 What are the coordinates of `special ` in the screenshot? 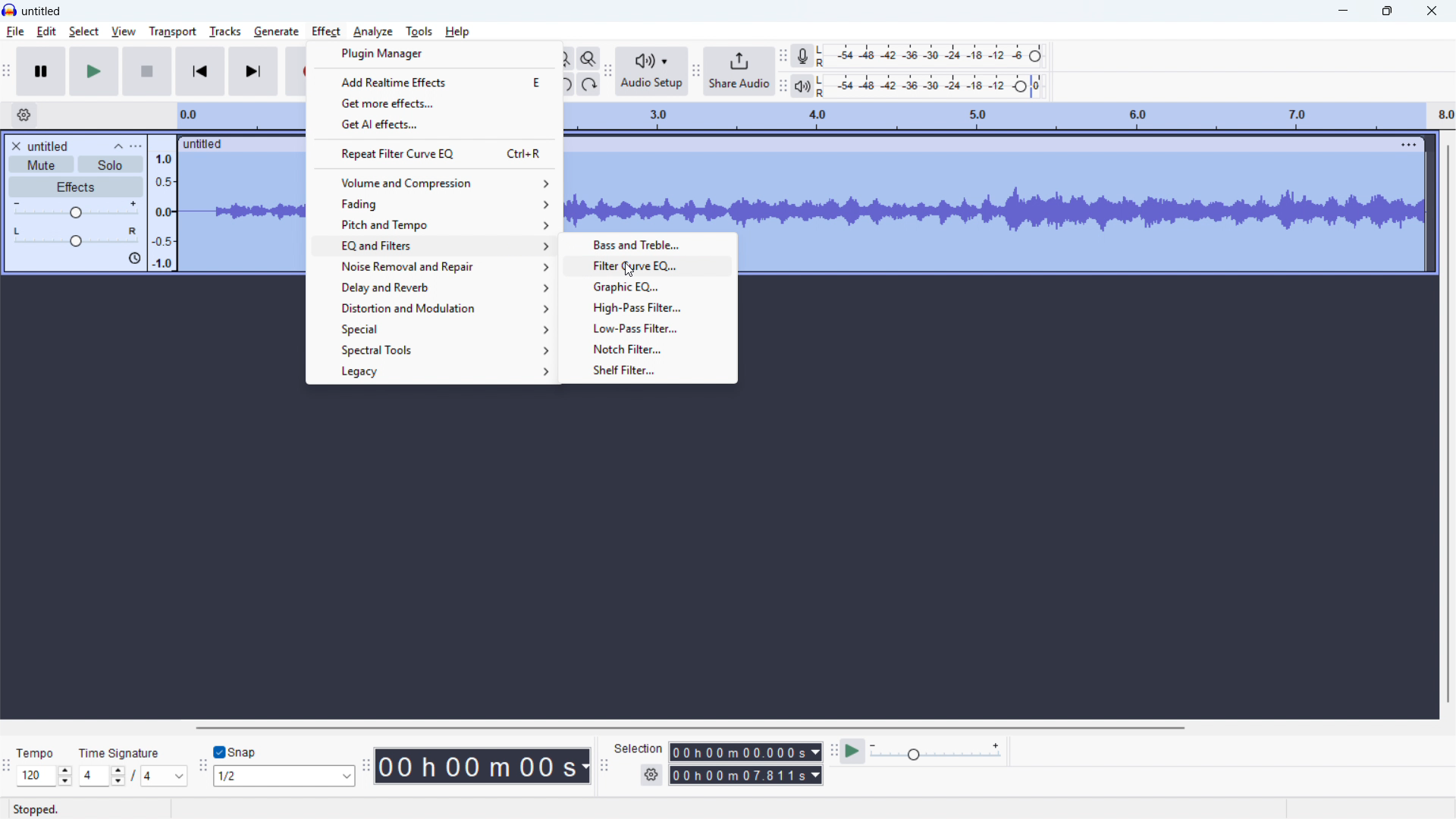 It's located at (432, 328).